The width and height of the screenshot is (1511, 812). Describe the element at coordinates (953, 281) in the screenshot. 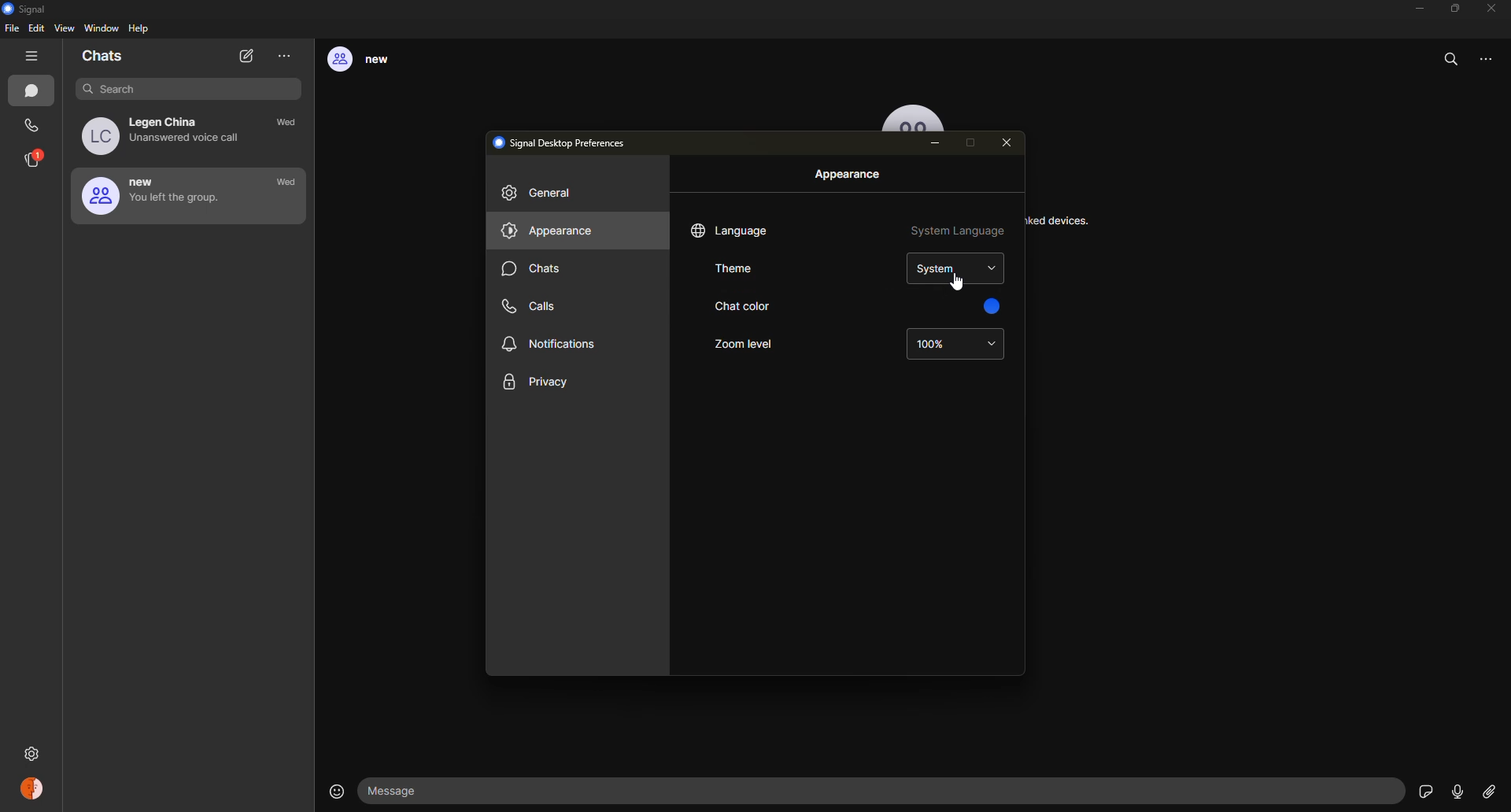

I see `pointer cursor` at that location.